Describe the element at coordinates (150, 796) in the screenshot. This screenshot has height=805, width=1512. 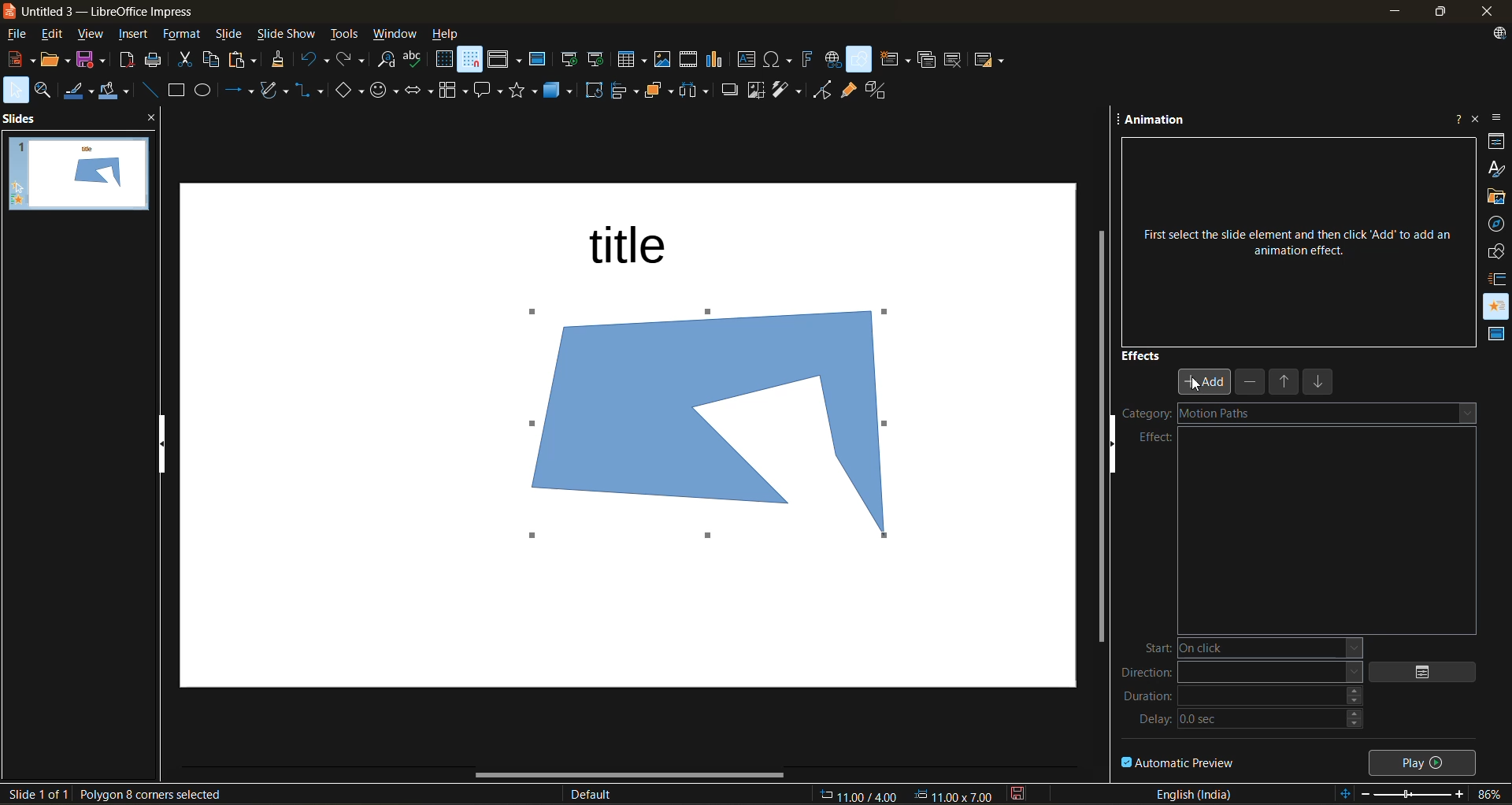
I see `selected shape details` at that location.